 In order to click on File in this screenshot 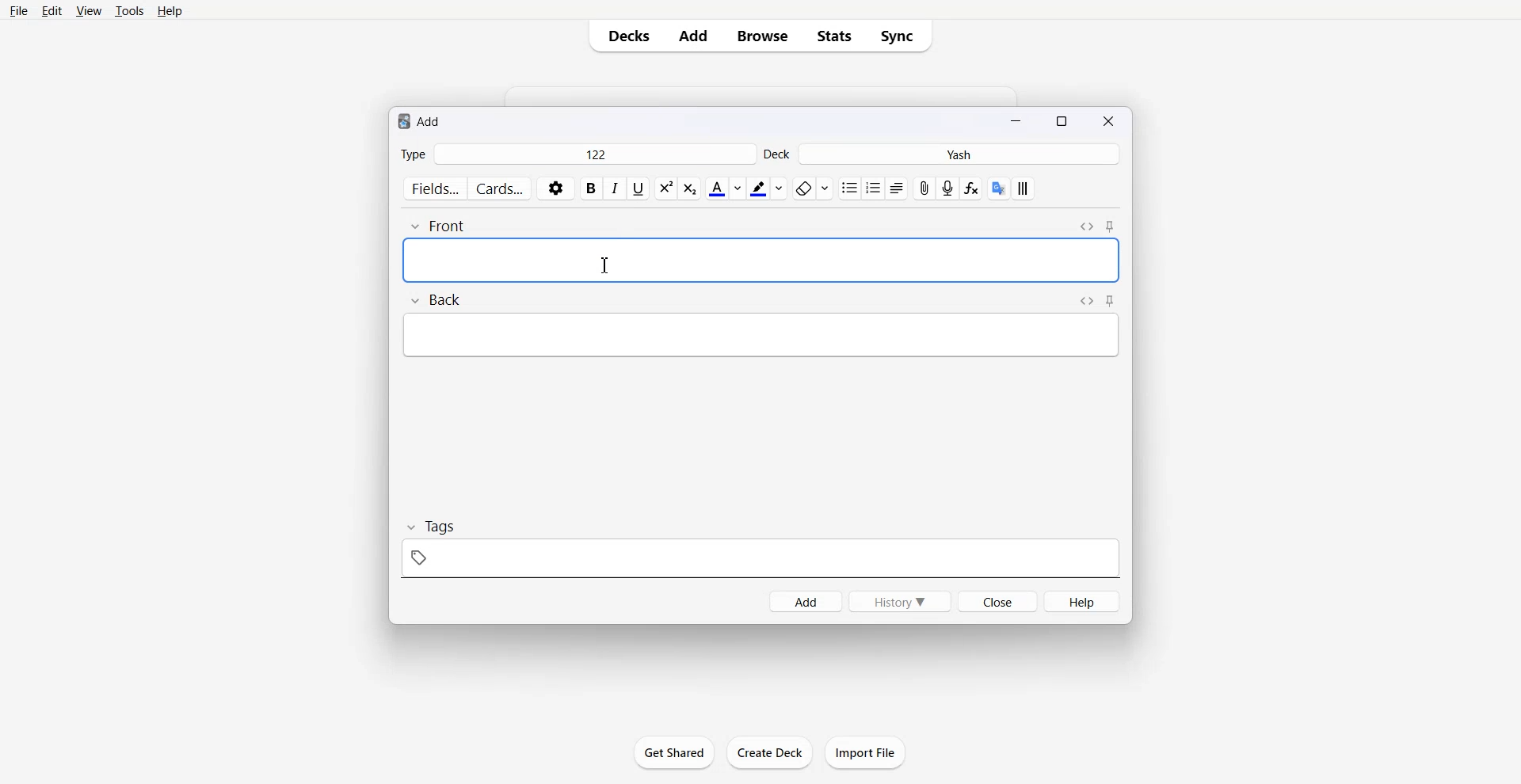, I will do `click(20, 10)`.